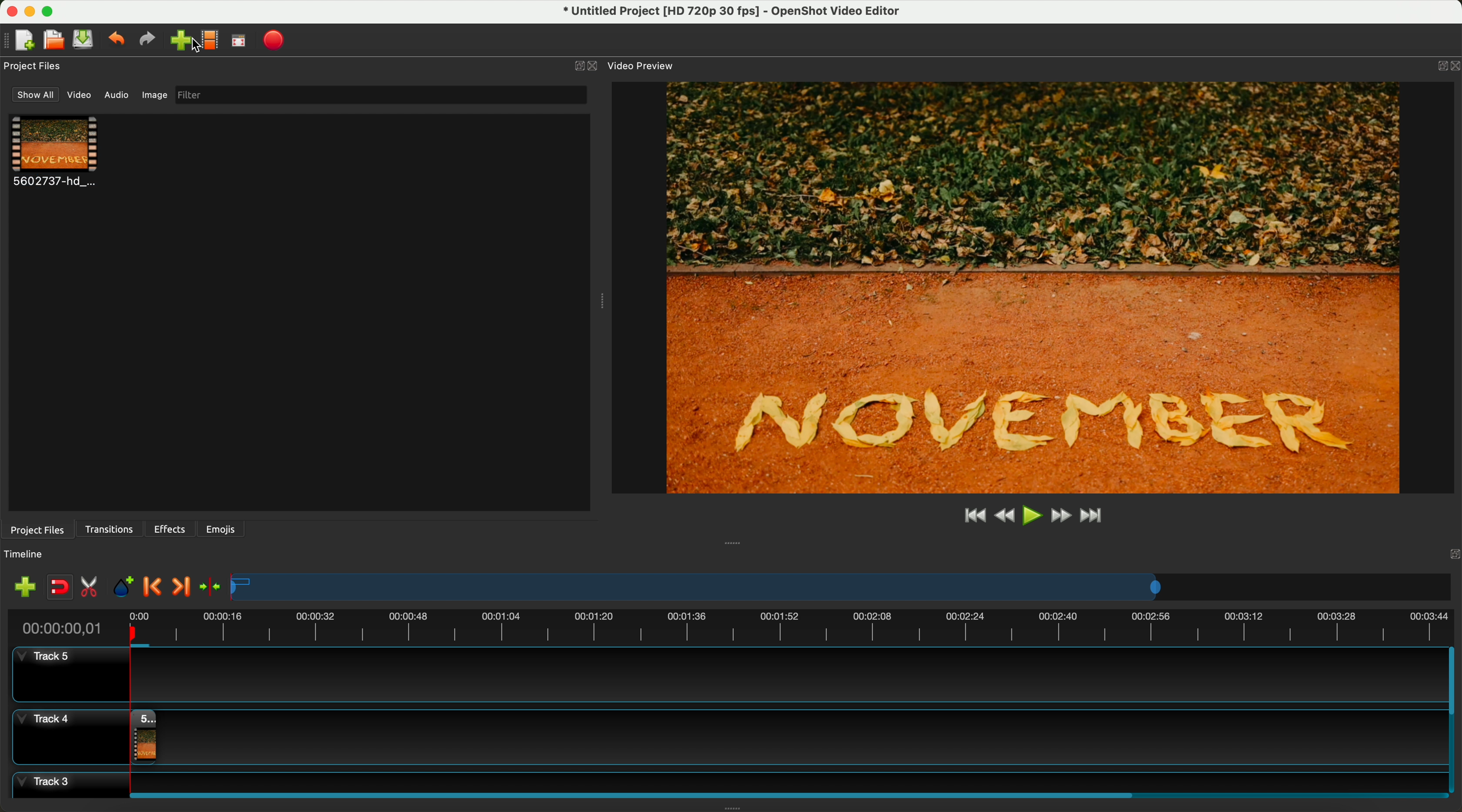  What do you see at coordinates (150, 41) in the screenshot?
I see `redo` at bounding box center [150, 41].